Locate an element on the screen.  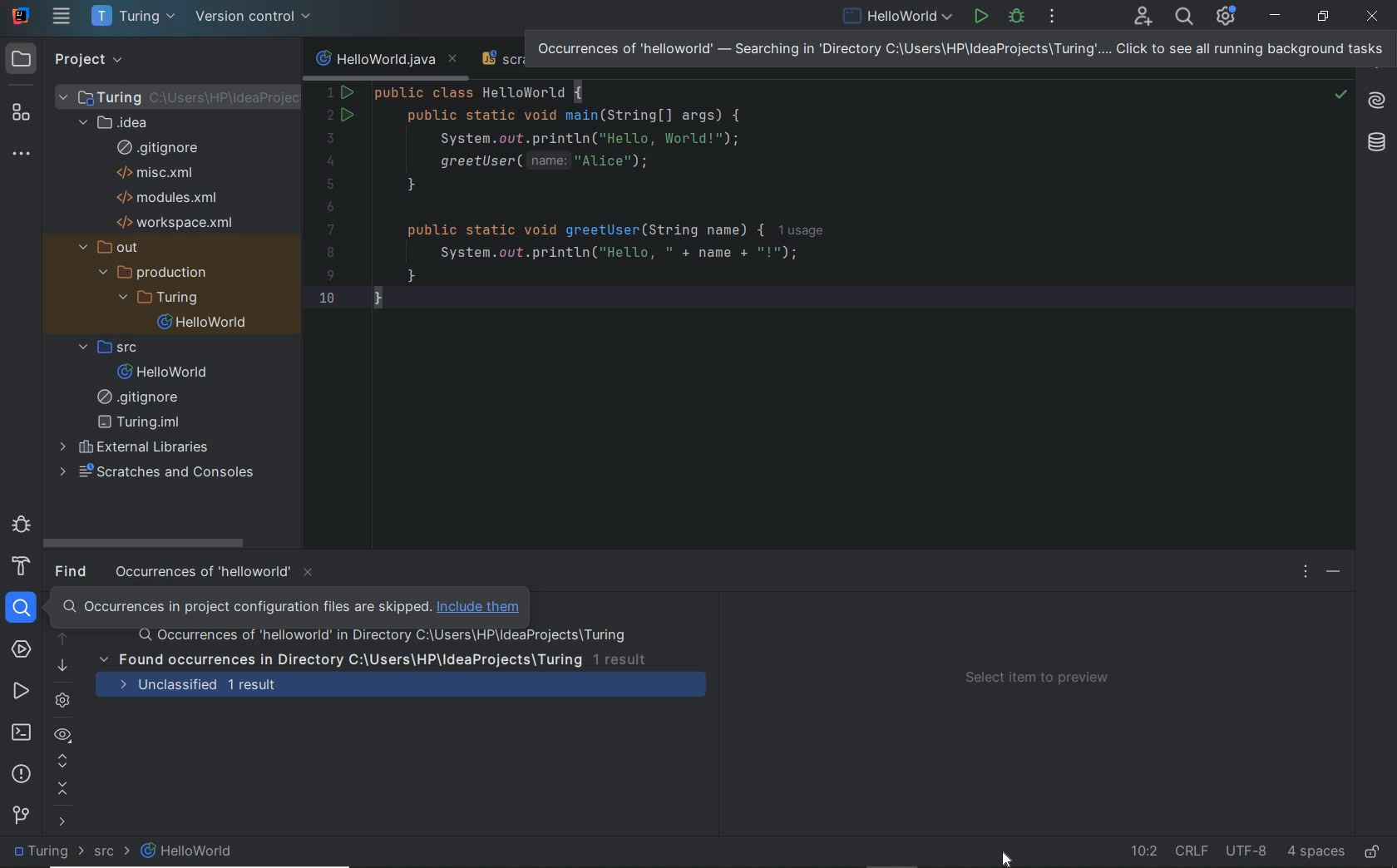
debug is located at coordinates (1017, 19).